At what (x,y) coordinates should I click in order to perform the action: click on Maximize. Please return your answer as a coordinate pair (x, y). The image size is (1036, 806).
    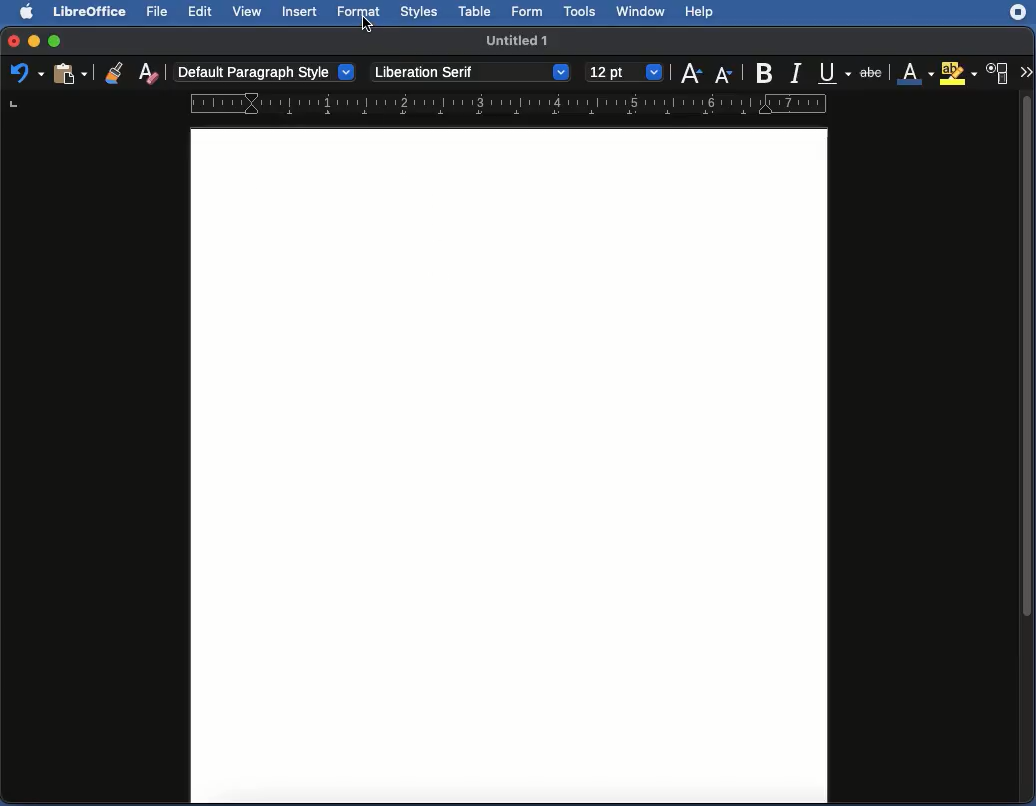
    Looking at the image, I should click on (57, 40).